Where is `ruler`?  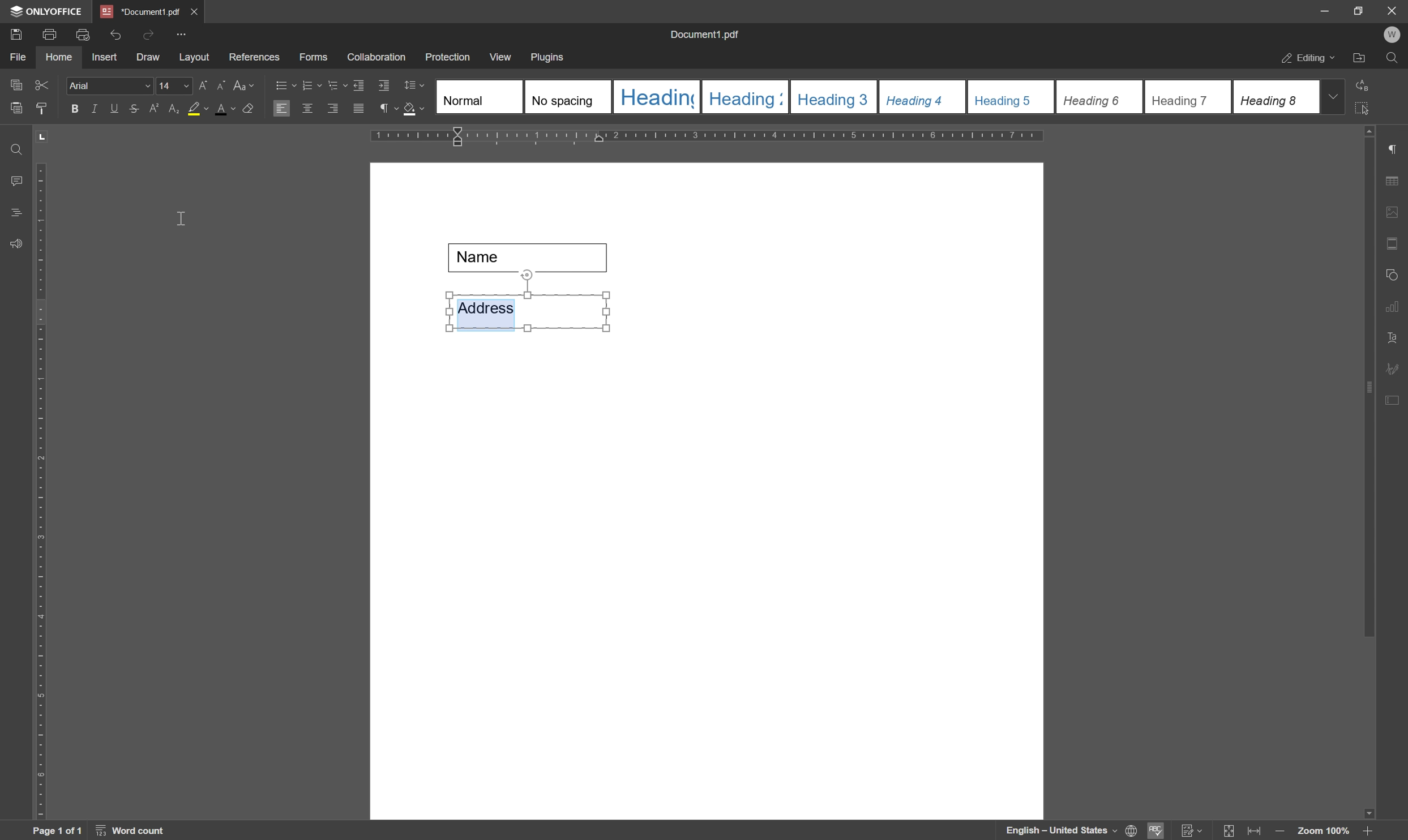 ruler is located at coordinates (712, 137).